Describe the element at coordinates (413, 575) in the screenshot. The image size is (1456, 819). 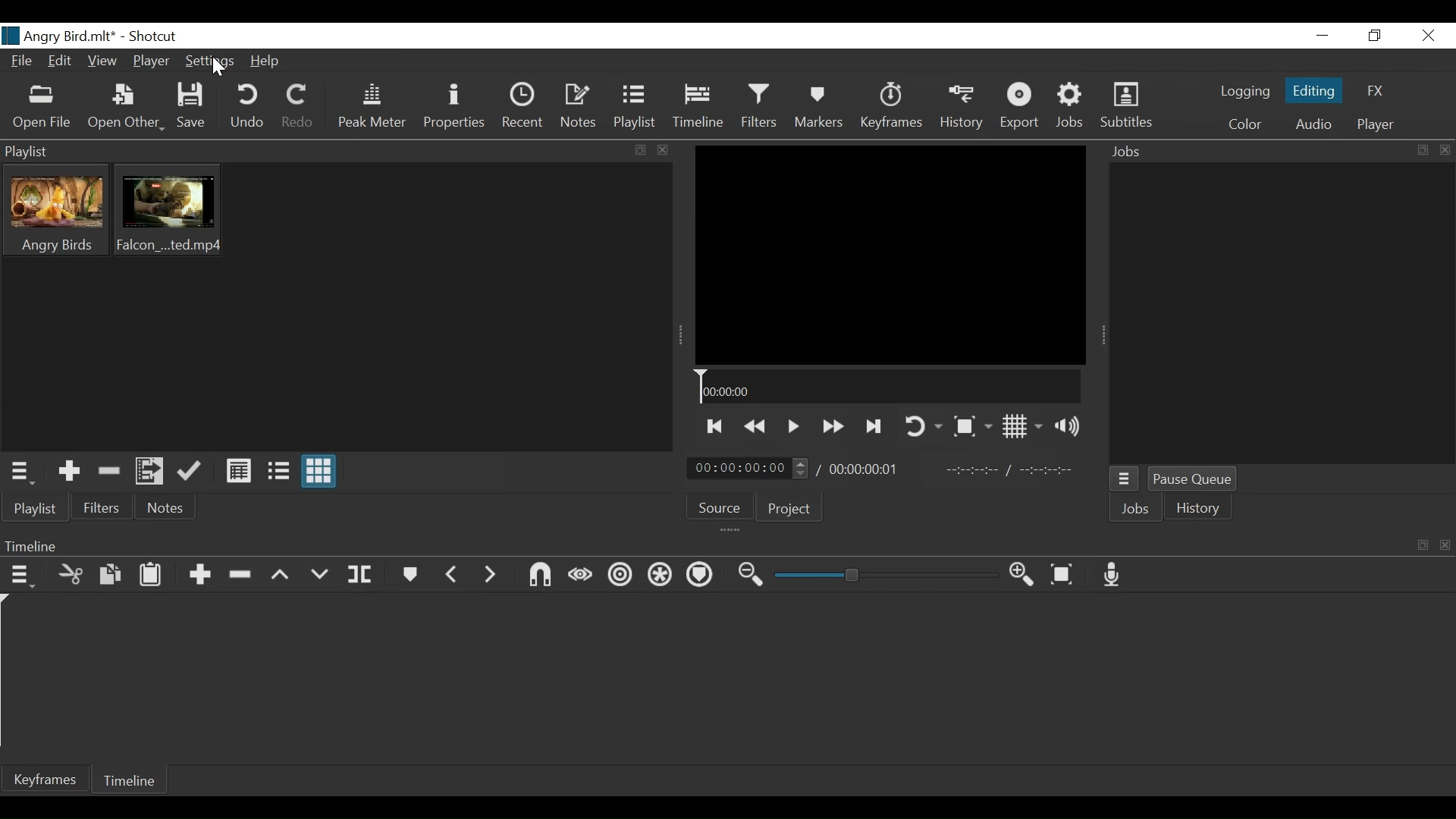
I see `Markers` at that location.